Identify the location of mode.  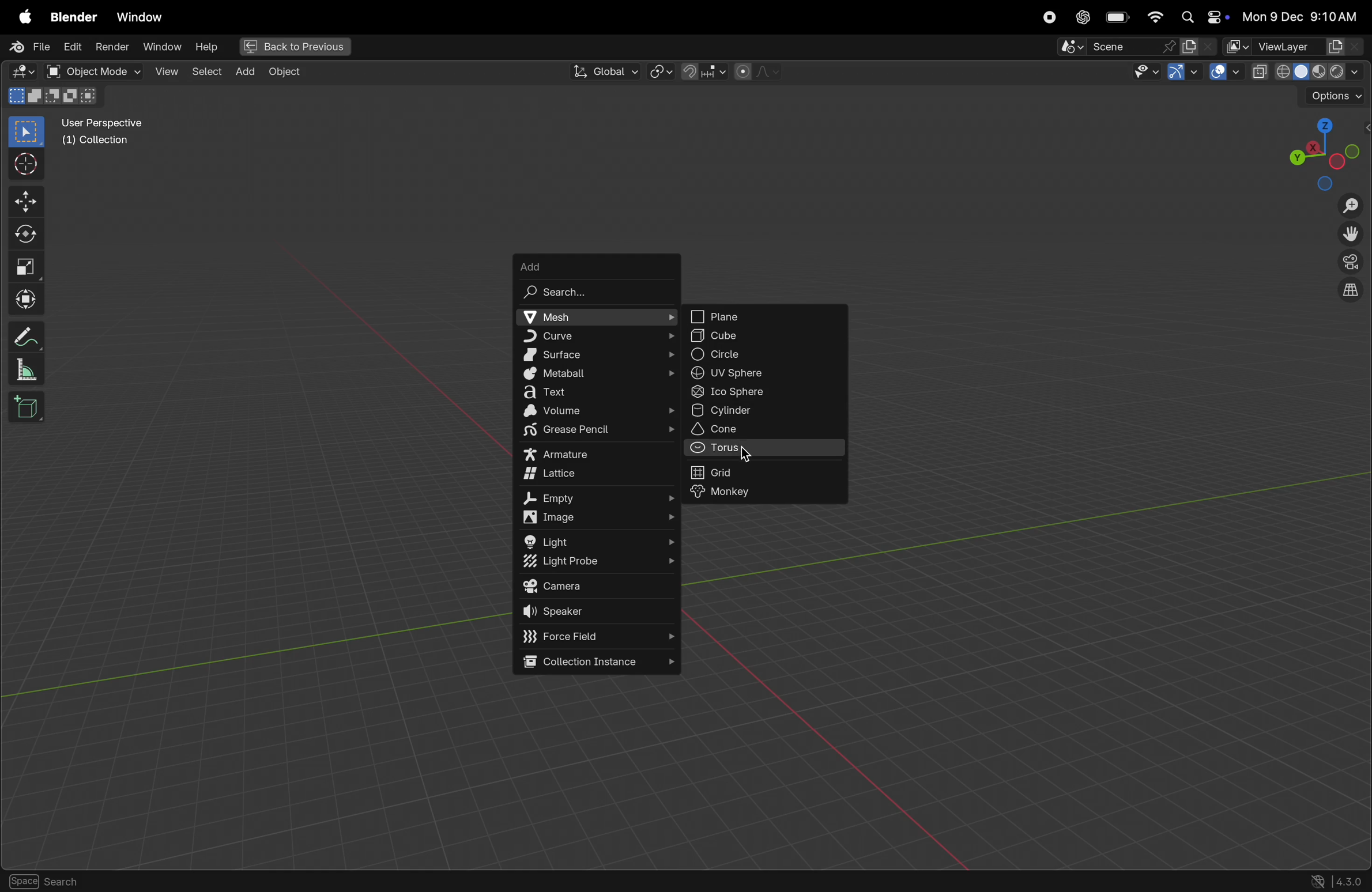
(55, 98).